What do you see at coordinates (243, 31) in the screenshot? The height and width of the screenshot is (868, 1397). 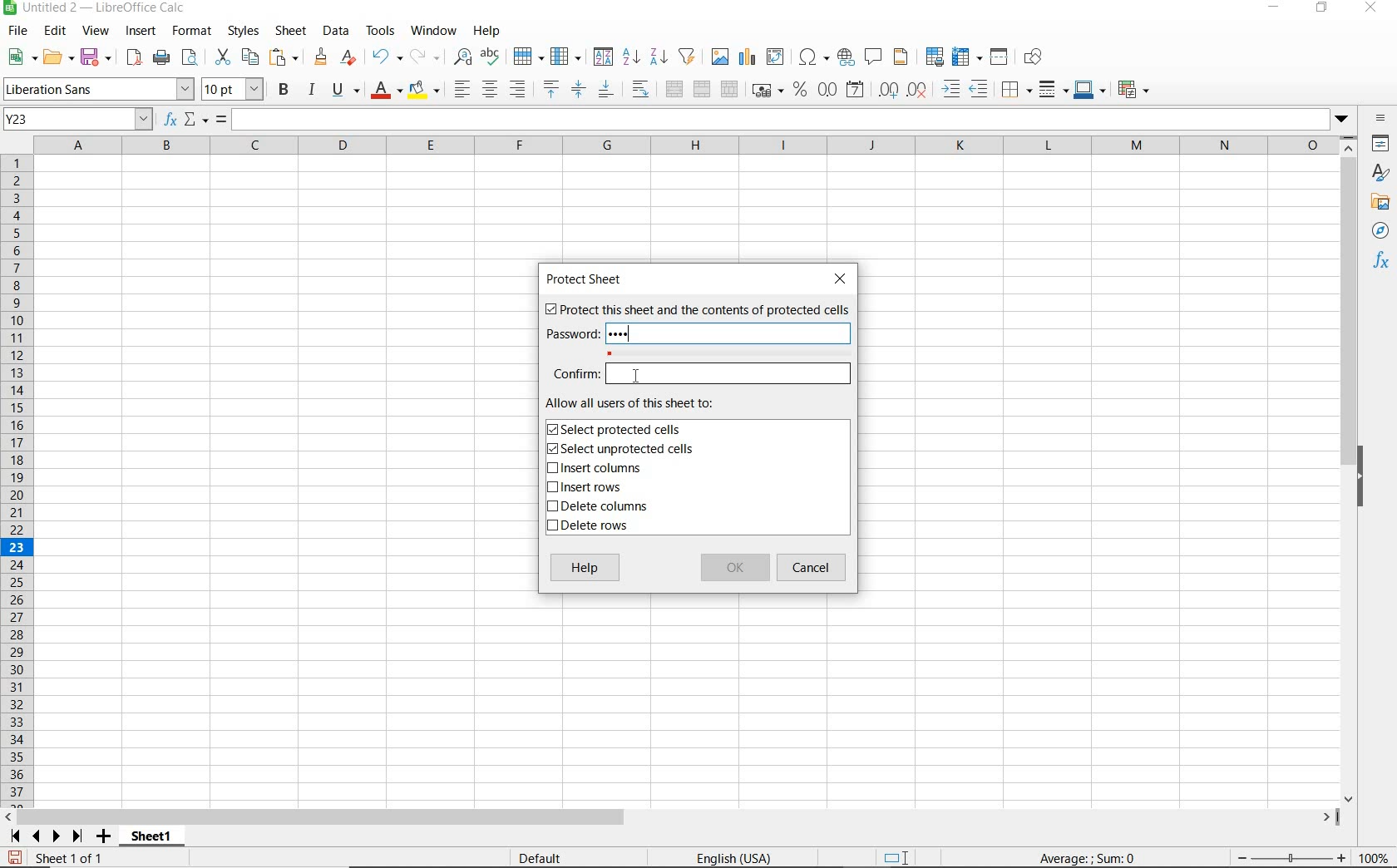 I see `STYLES` at bounding box center [243, 31].